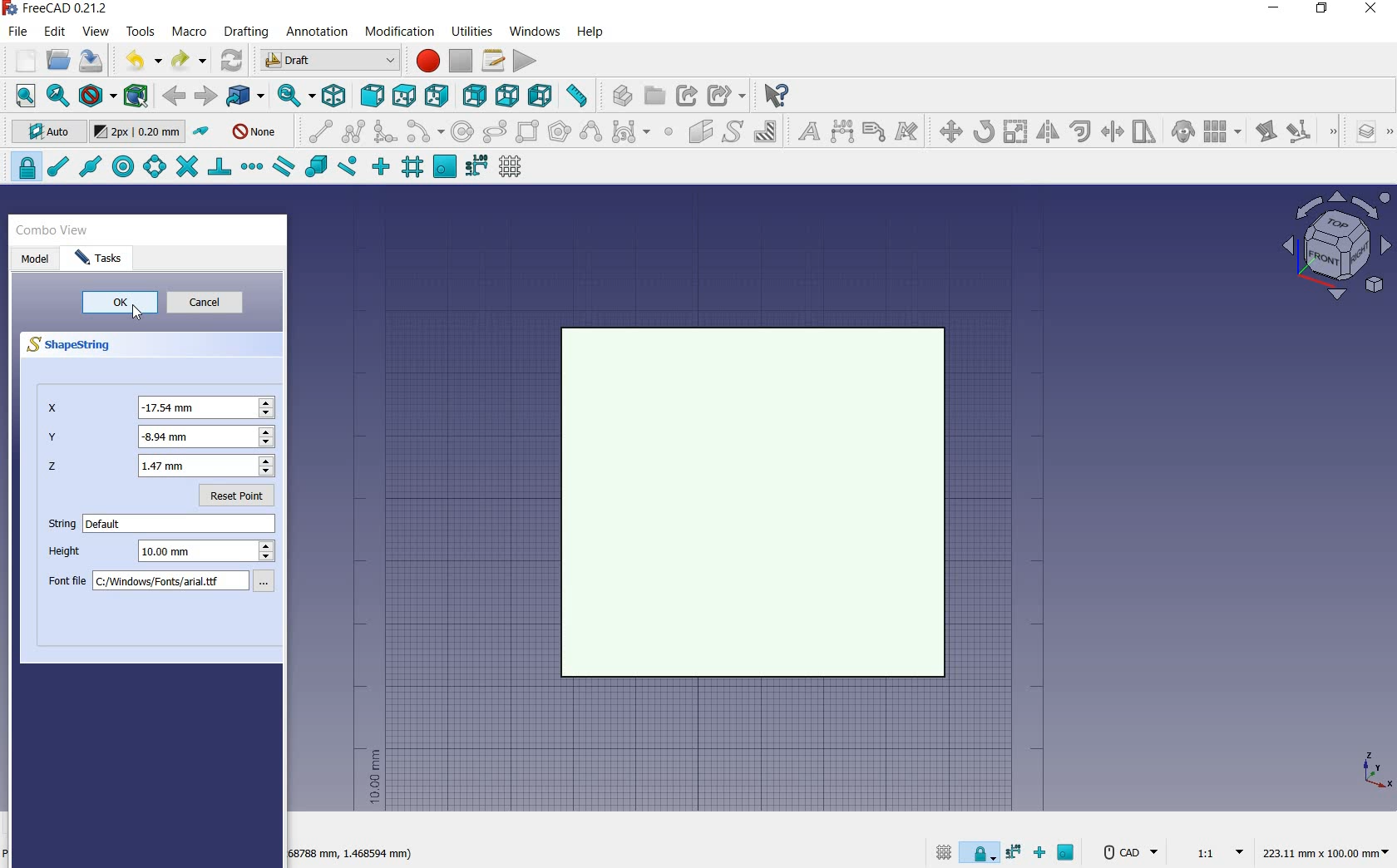 The width and height of the screenshot is (1397, 868). What do you see at coordinates (1145, 133) in the screenshot?
I see `stretch` at bounding box center [1145, 133].